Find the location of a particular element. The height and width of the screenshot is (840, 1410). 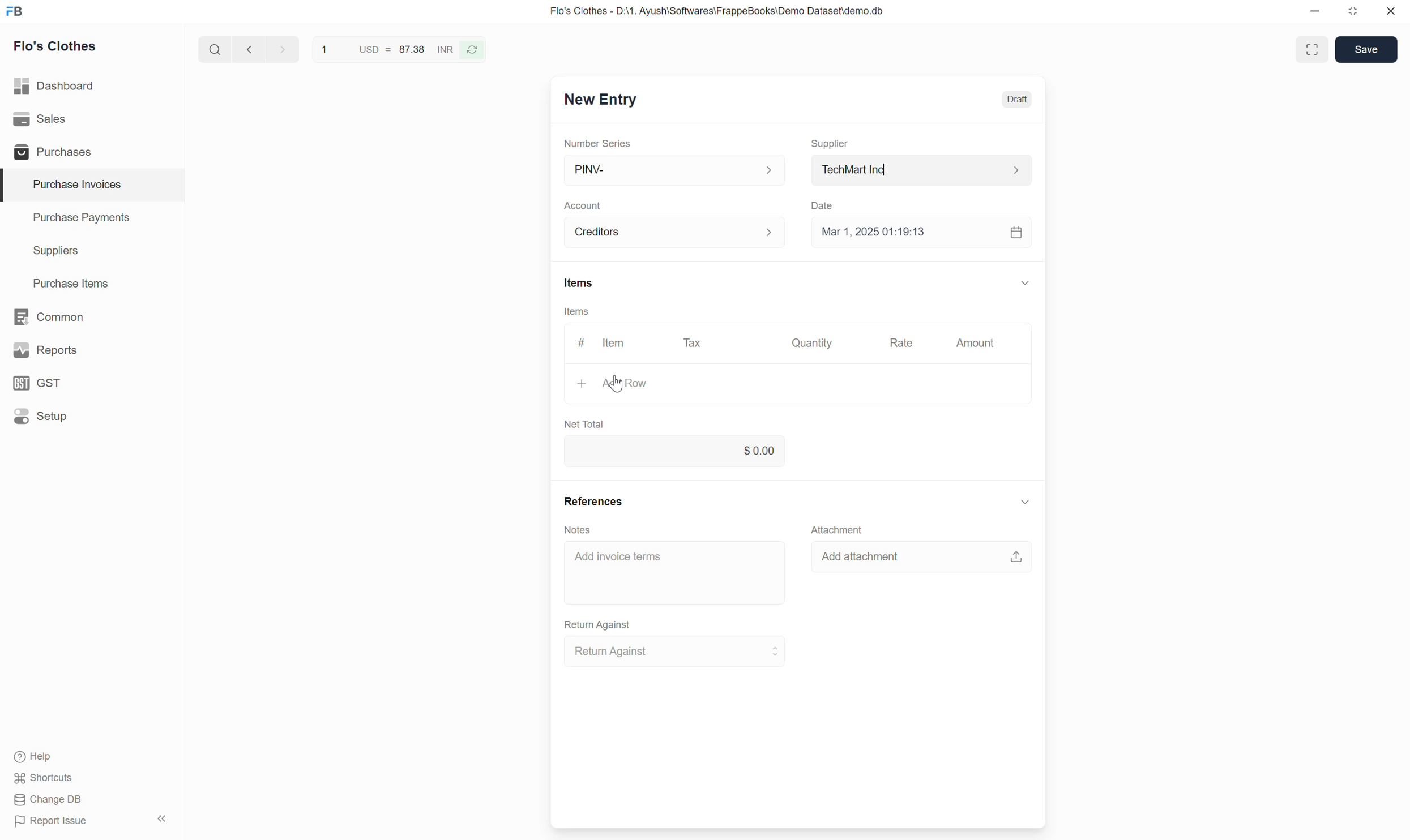

expand is located at coordinates (1022, 503).